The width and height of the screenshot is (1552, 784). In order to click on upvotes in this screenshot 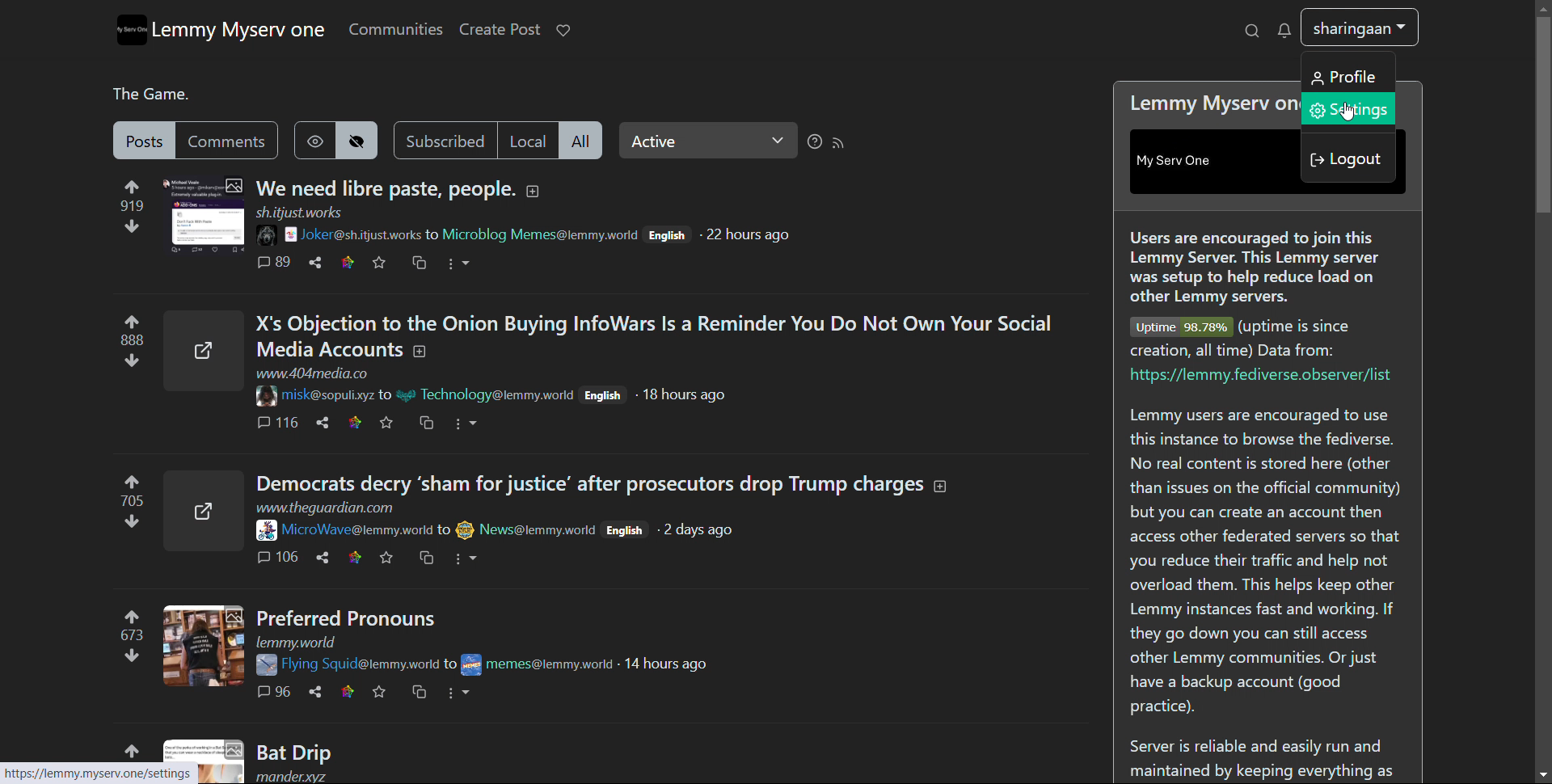, I will do `click(140, 185)`.